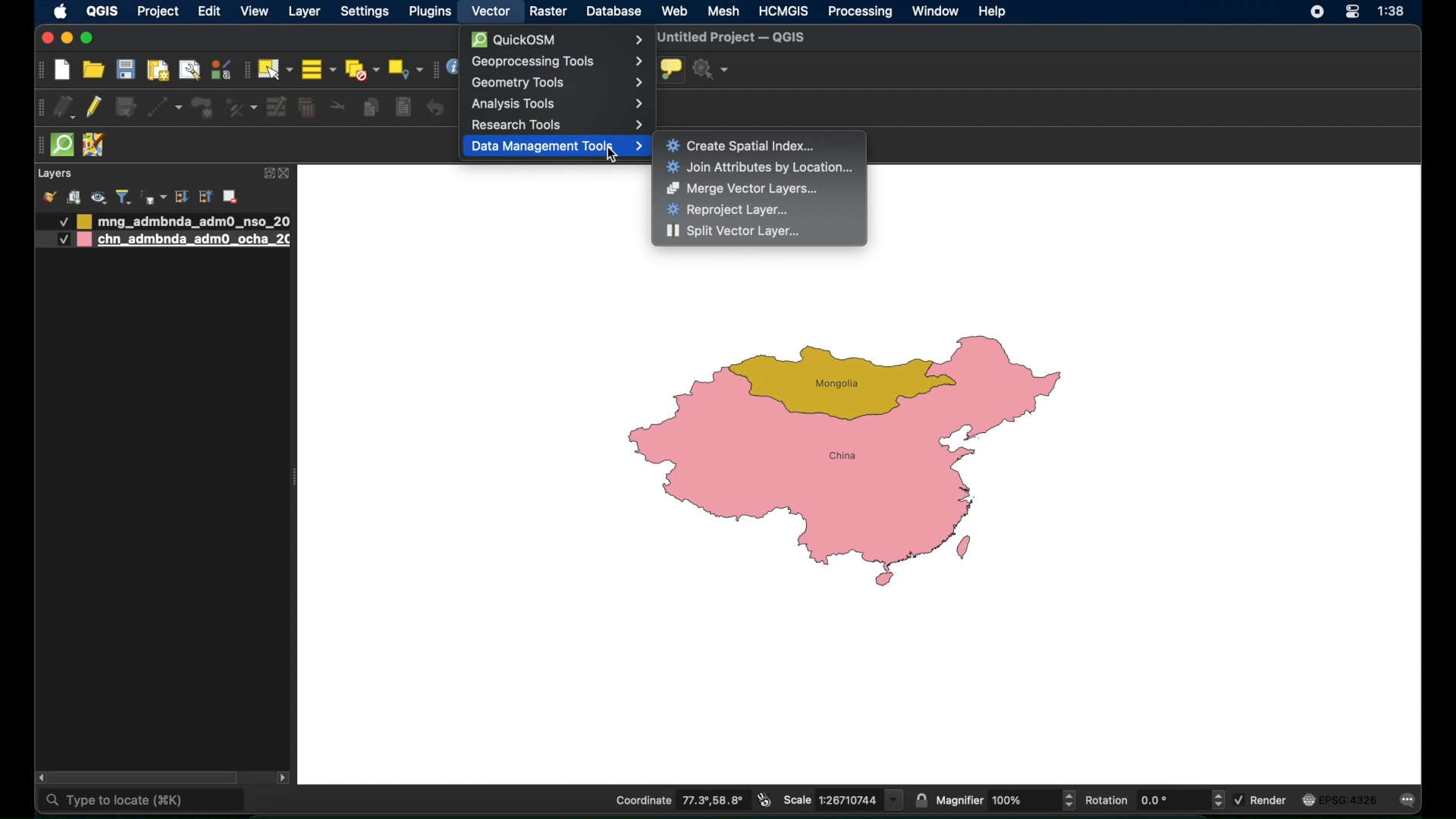 The height and width of the screenshot is (819, 1456). Describe the element at coordinates (307, 108) in the screenshot. I see `delete selected` at that location.